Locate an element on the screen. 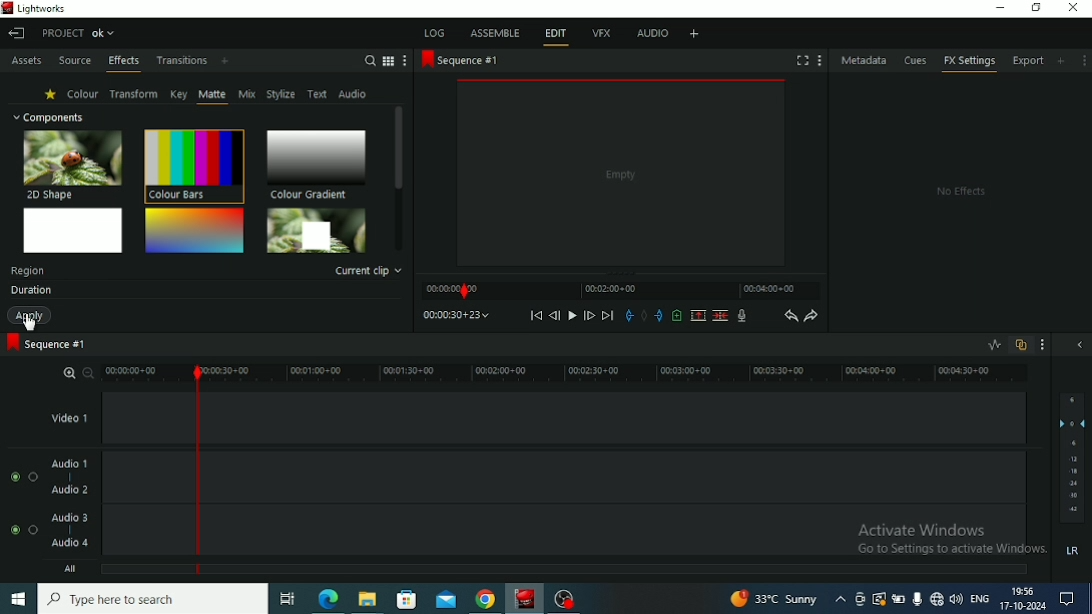 Image resolution: width=1092 pixels, height=614 pixels. Clear all Marks is located at coordinates (644, 315).